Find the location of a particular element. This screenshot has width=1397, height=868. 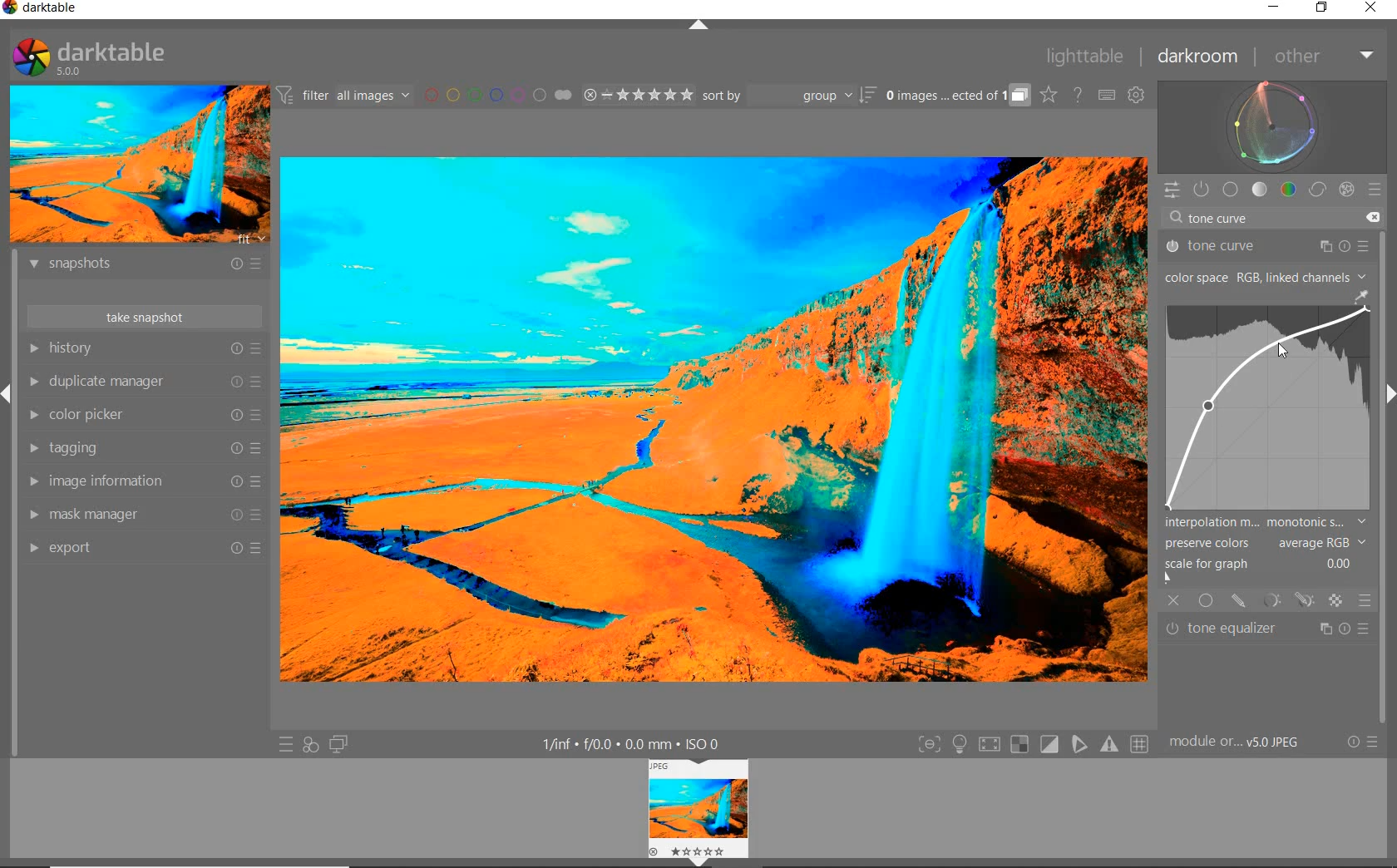

history is located at coordinates (144, 348).